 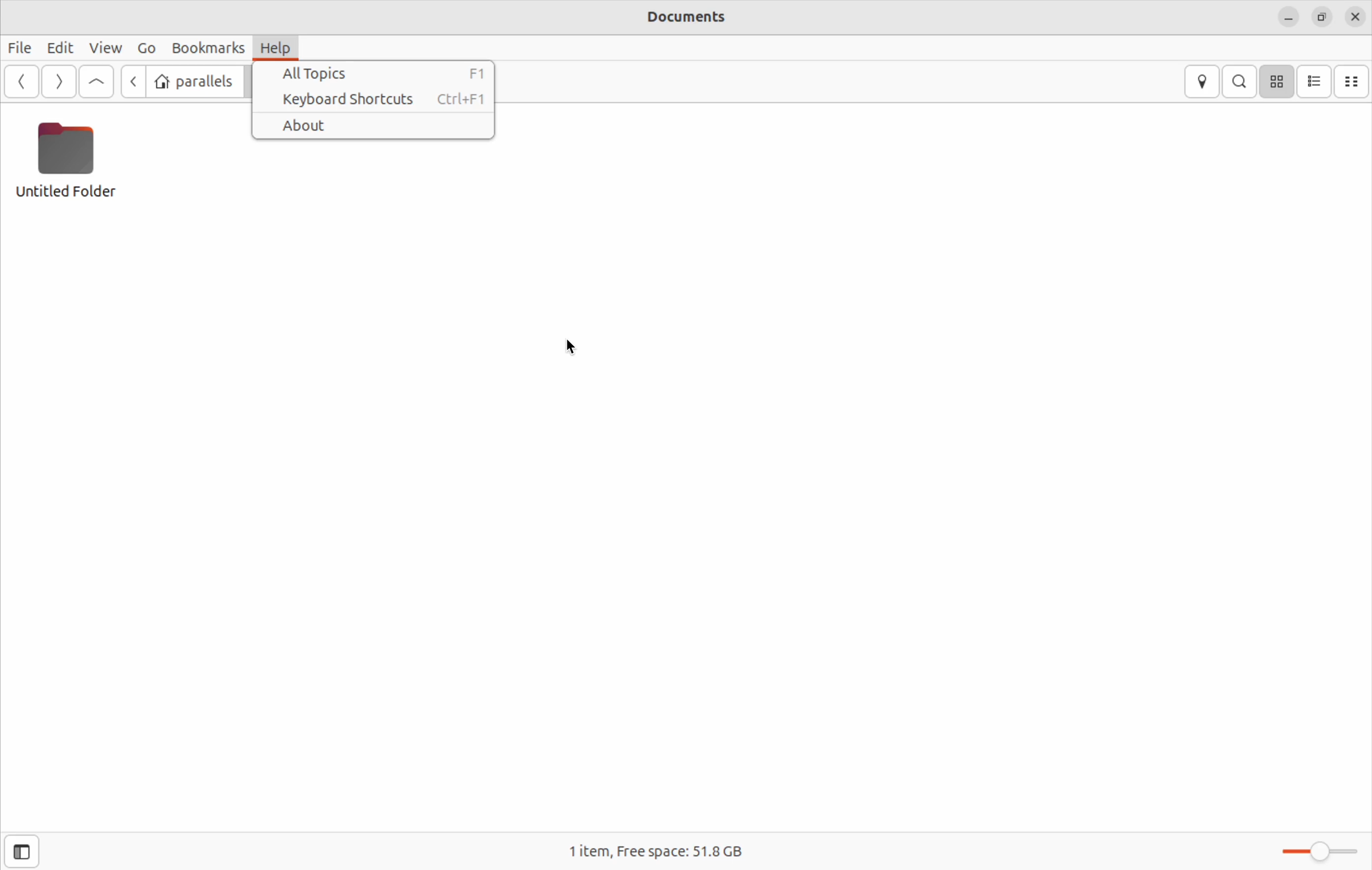 What do you see at coordinates (1354, 81) in the screenshot?
I see `compact view` at bounding box center [1354, 81].